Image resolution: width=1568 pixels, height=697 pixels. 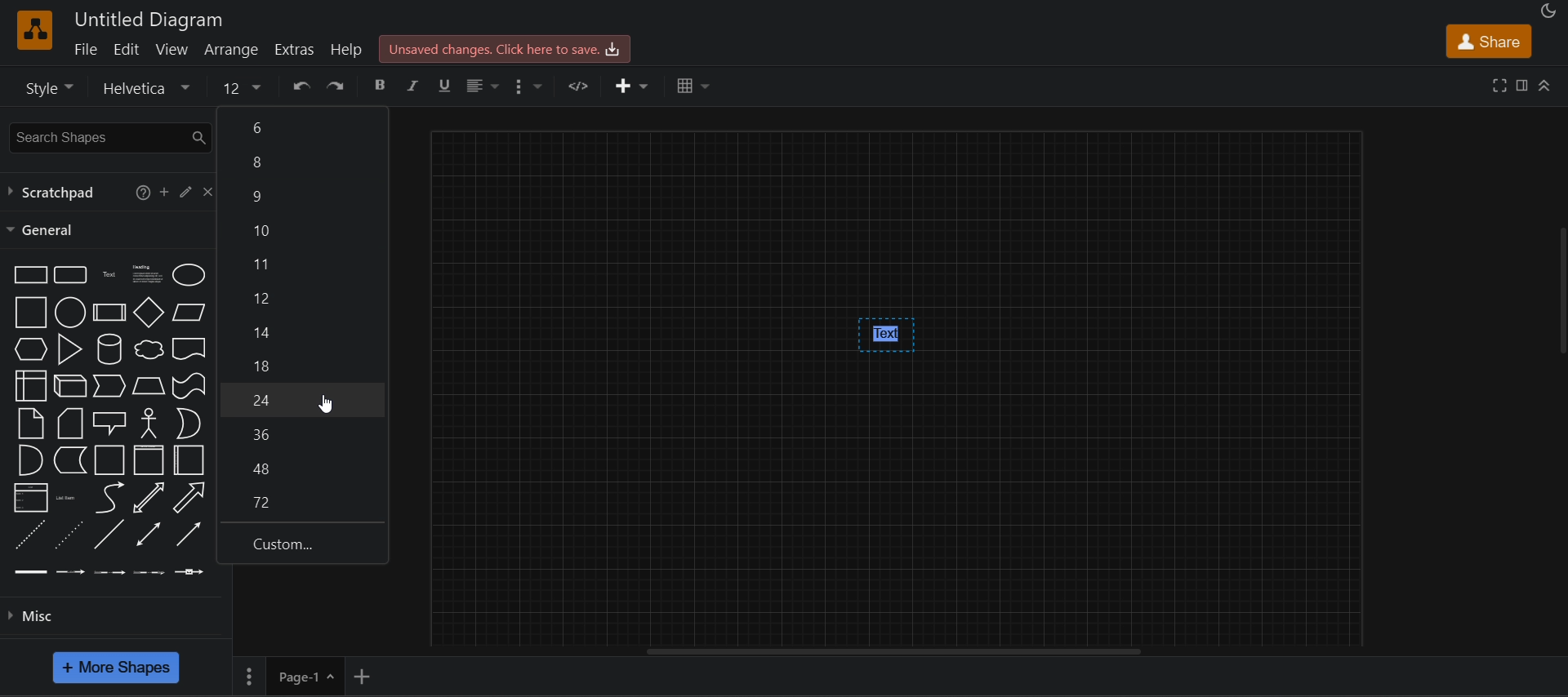 I want to click on Page options, so click(x=329, y=677).